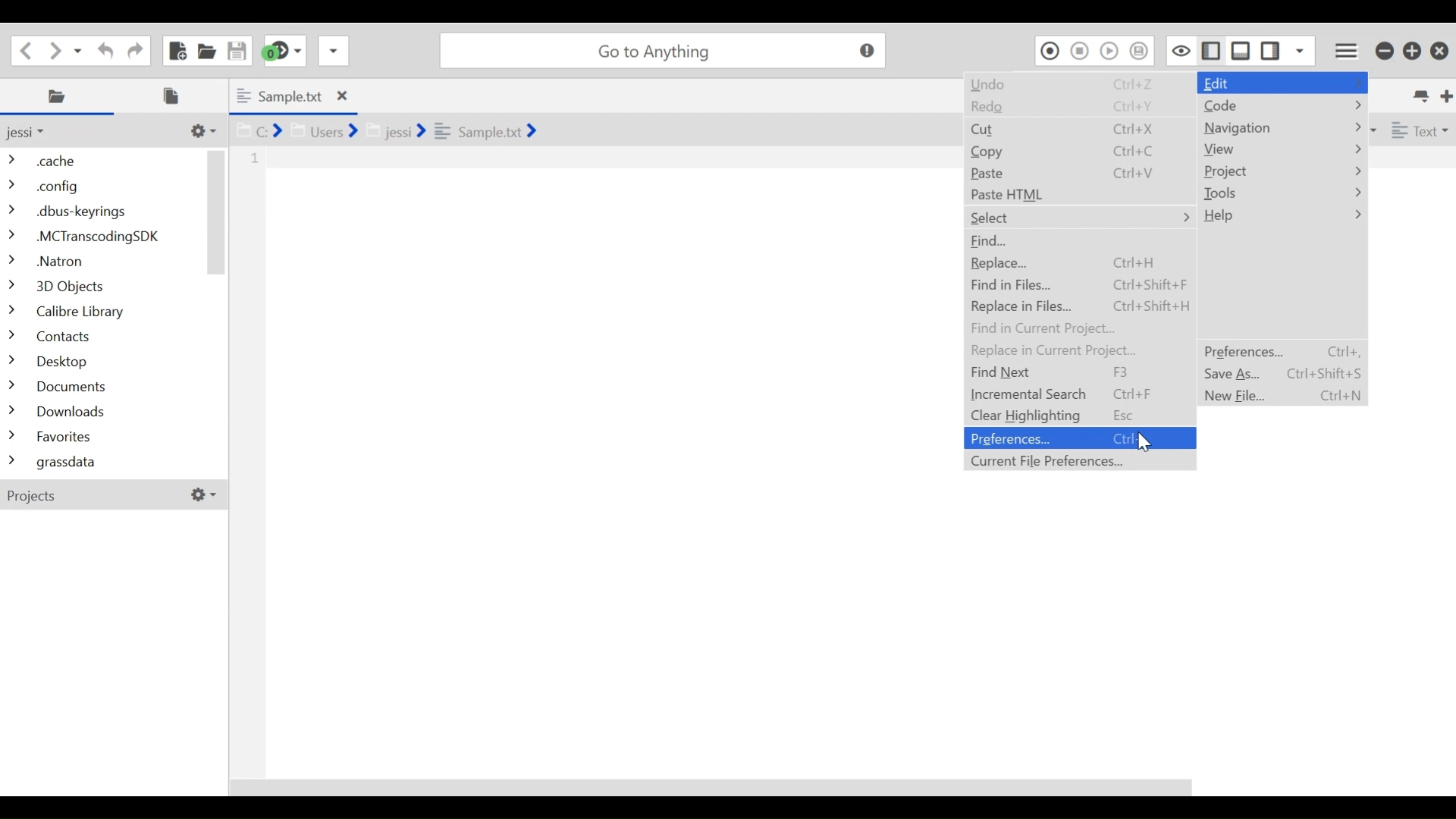 This screenshot has width=1456, height=819. What do you see at coordinates (176, 96) in the screenshot?
I see `Open Files` at bounding box center [176, 96].